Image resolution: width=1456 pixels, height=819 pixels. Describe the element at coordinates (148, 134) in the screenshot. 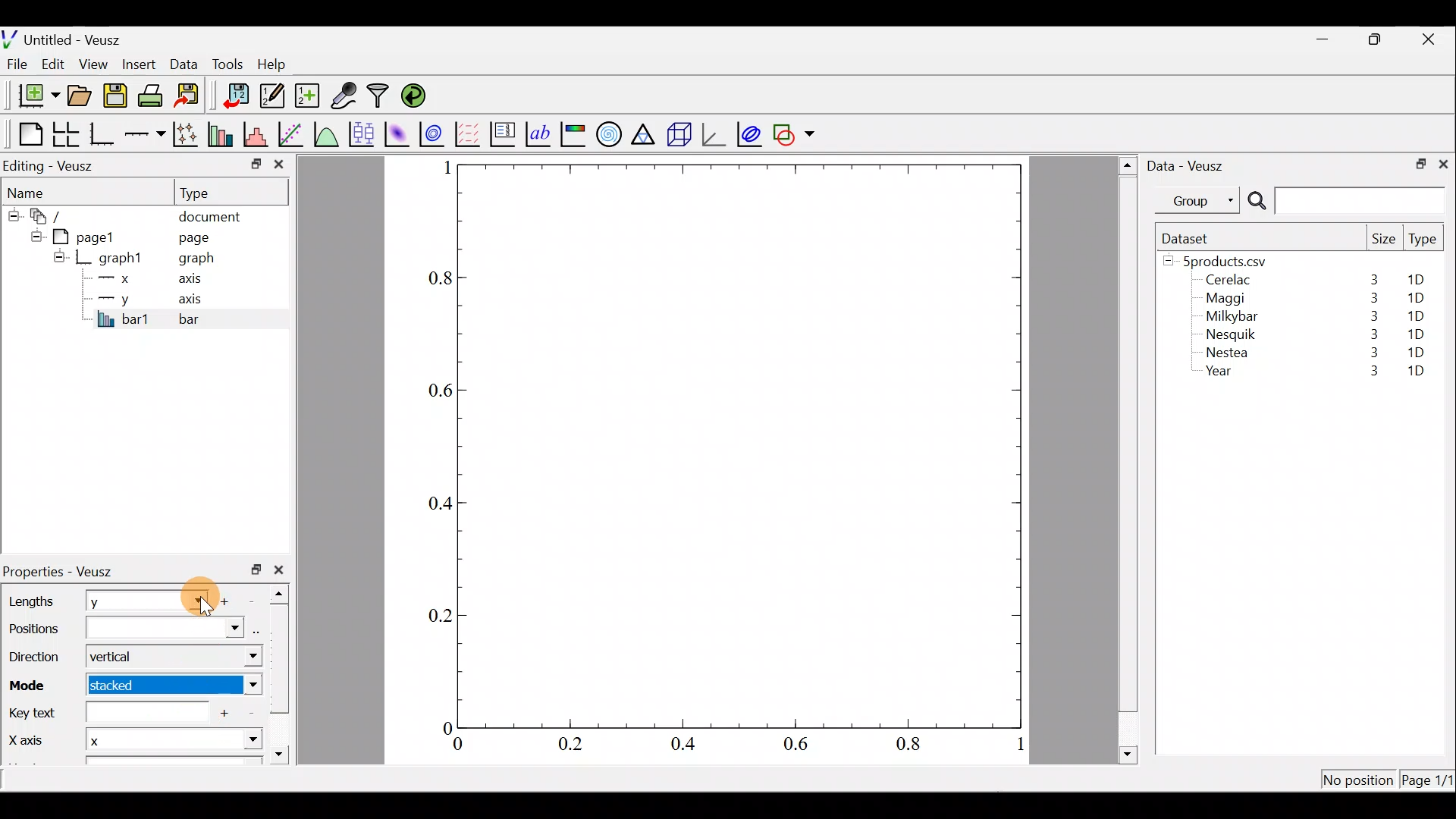

I see `Add an axis to the plot` at that location.